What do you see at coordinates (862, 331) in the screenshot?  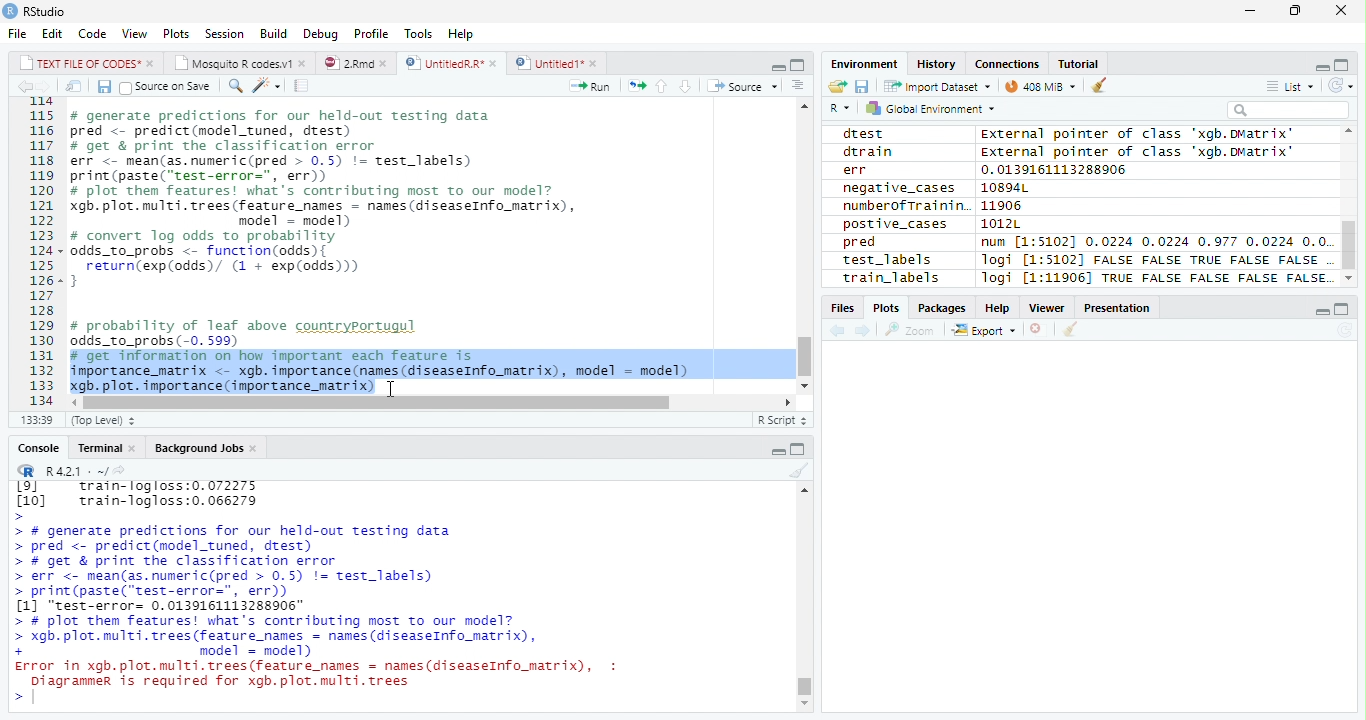 I see `Next` at bounding box center [862, 331].